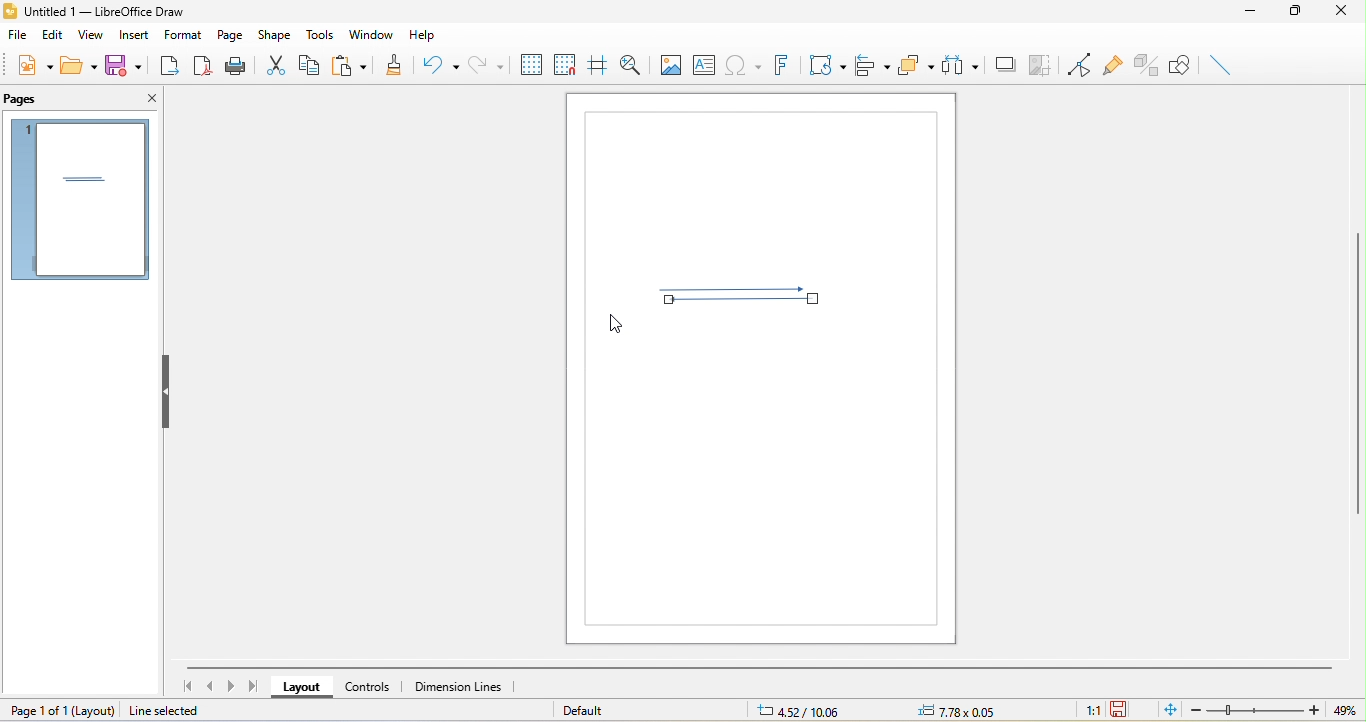  I want to click on undo, so click(441, 67).